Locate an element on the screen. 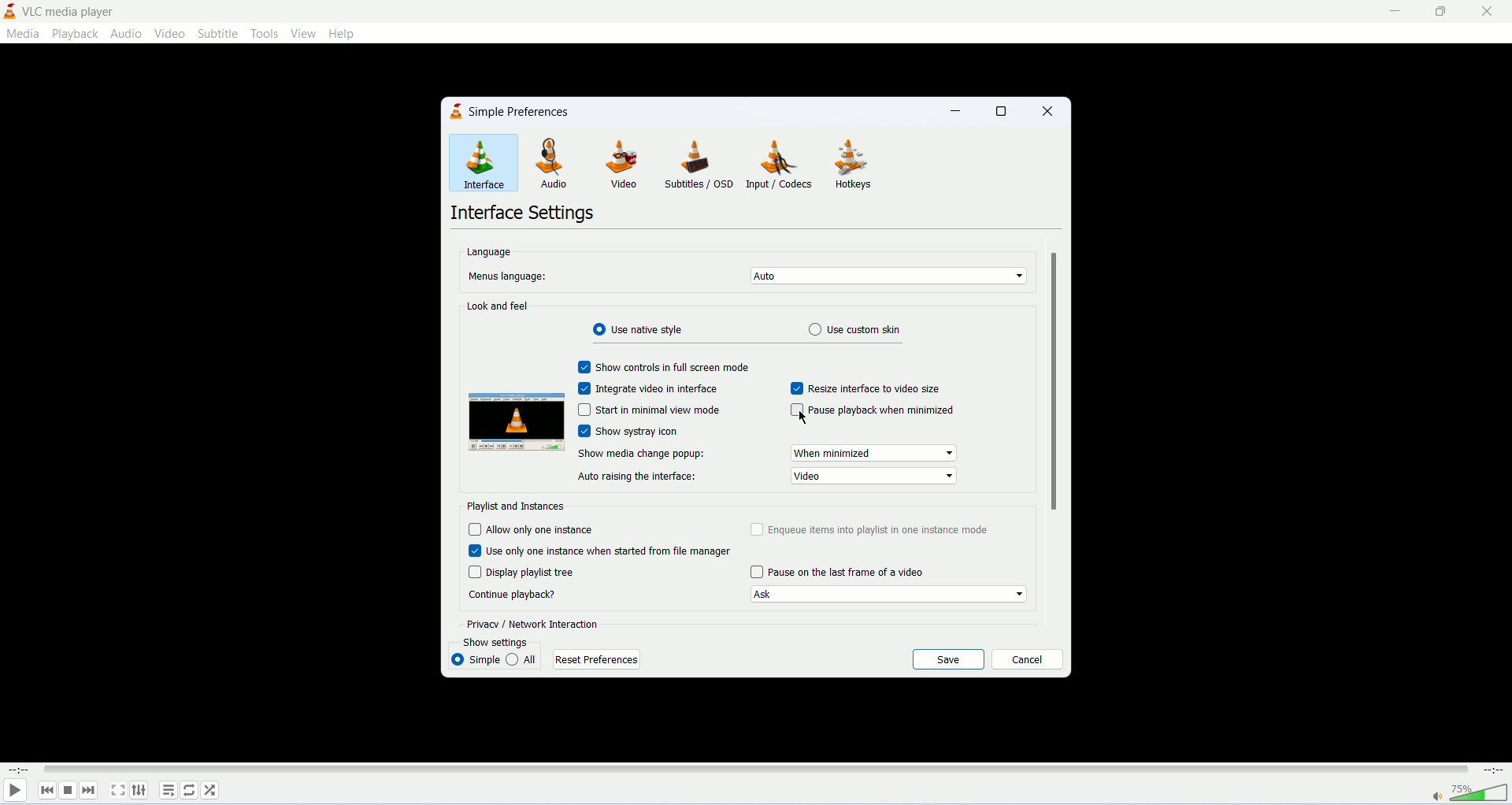 The width and height of the screenshot is (1512, 805). save is located at coordinates (948, 660).